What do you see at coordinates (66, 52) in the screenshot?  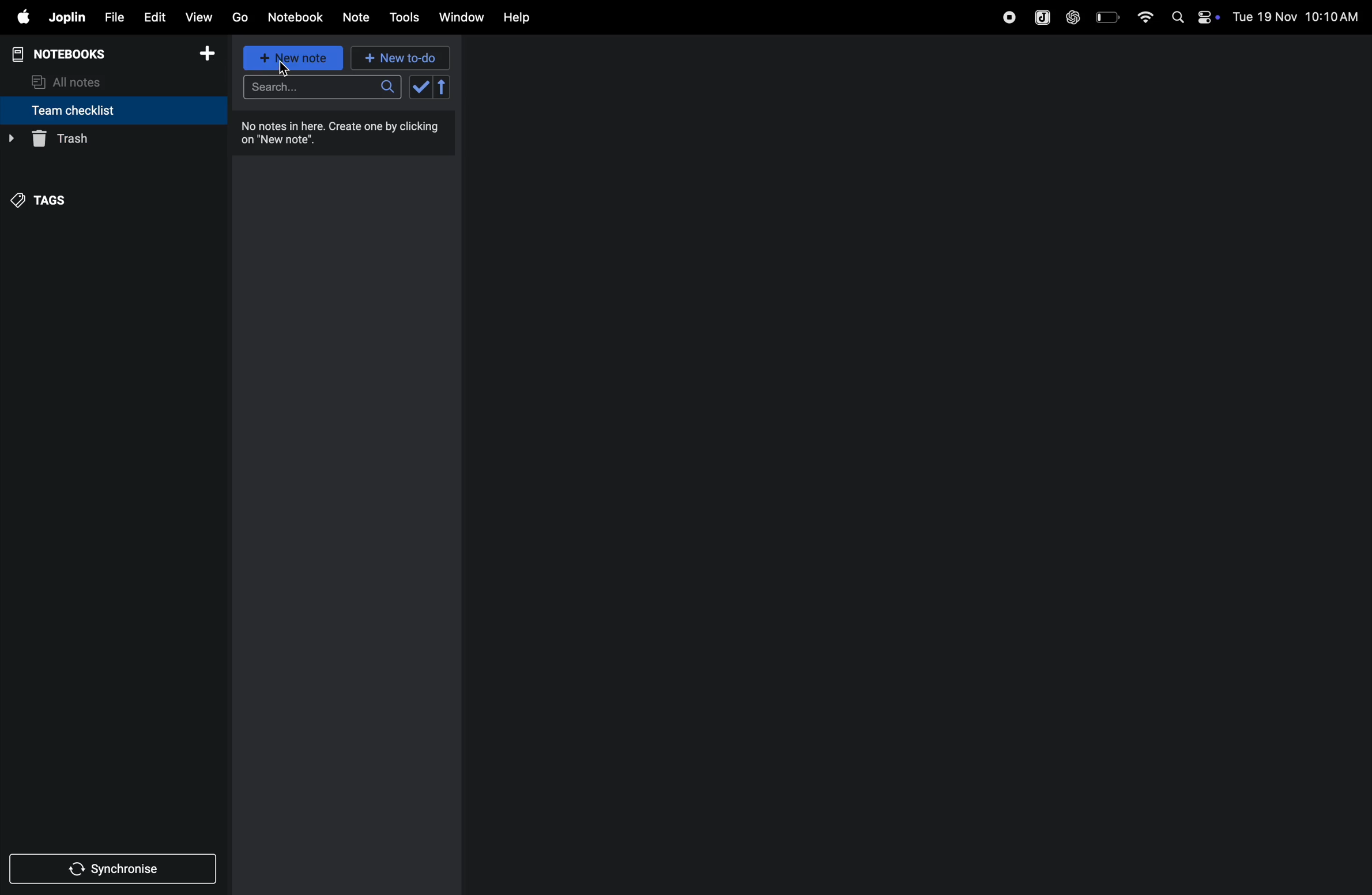 I see `notebooks` at bounding box center [66, 52].